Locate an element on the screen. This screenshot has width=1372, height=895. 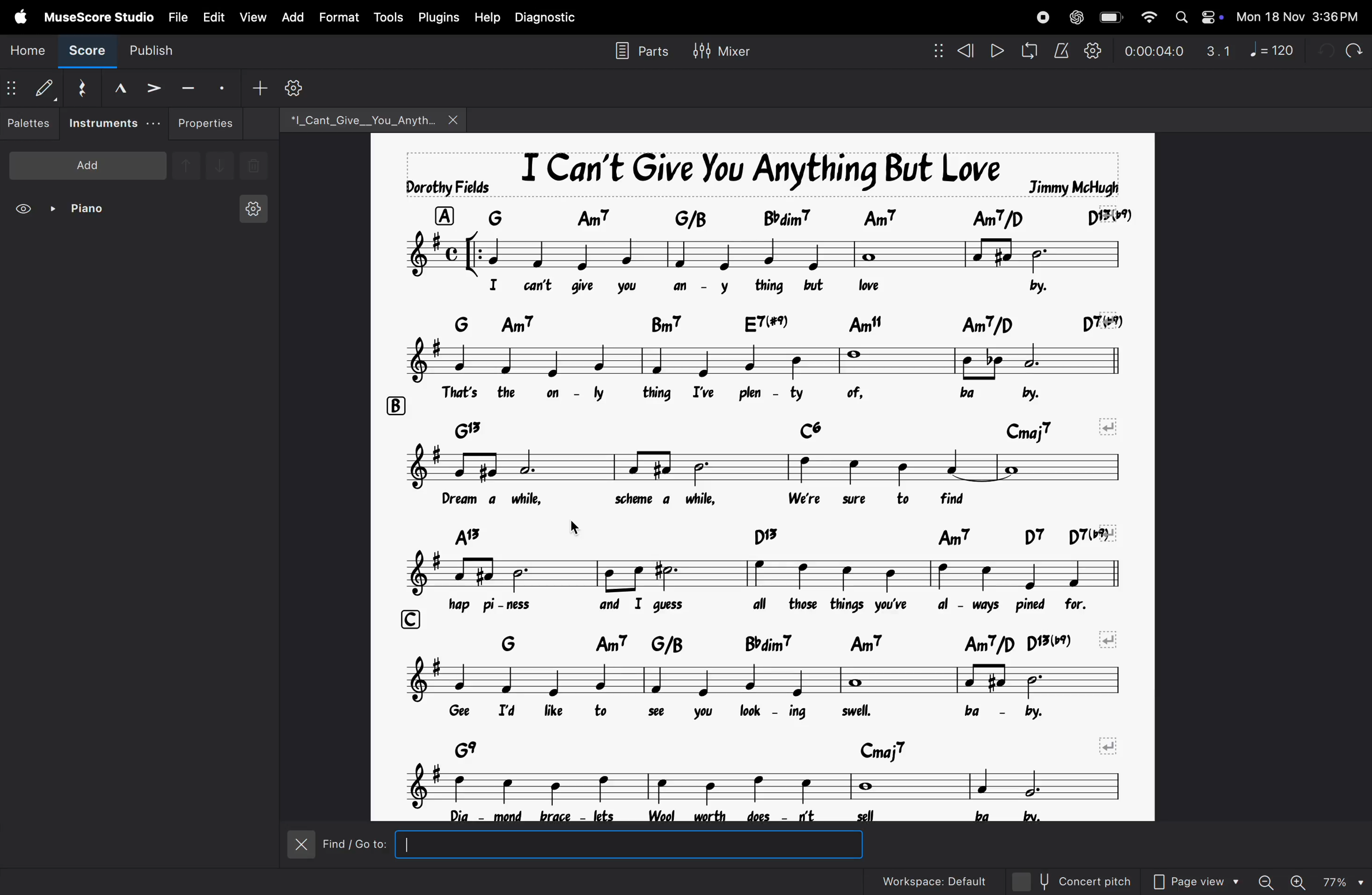
row is located at coordinates (444, 216).